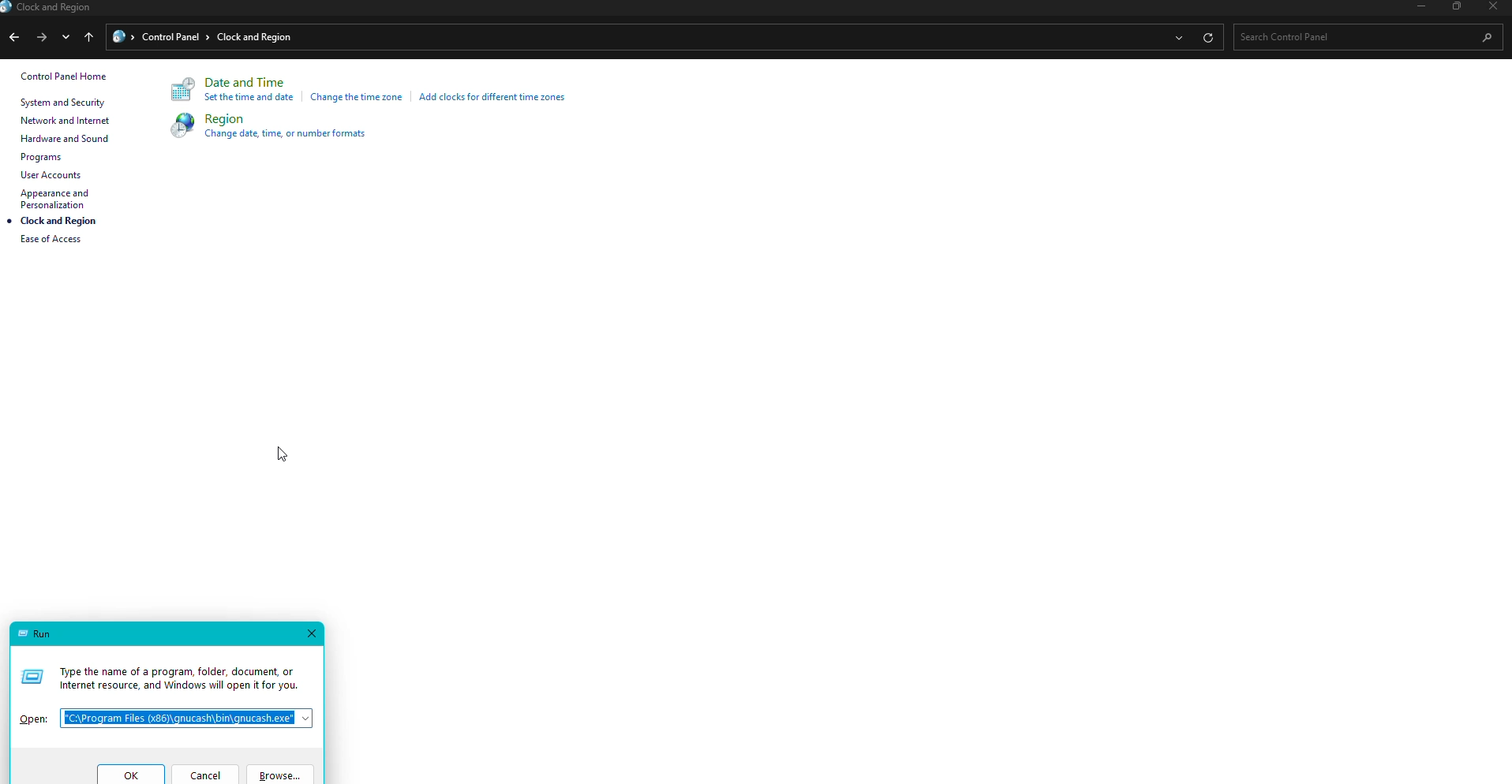 The height and width of the screenshot is (784, 1512). Describe the element at coordinates (33, 713) in the screenshot. I see `Open` at that location.